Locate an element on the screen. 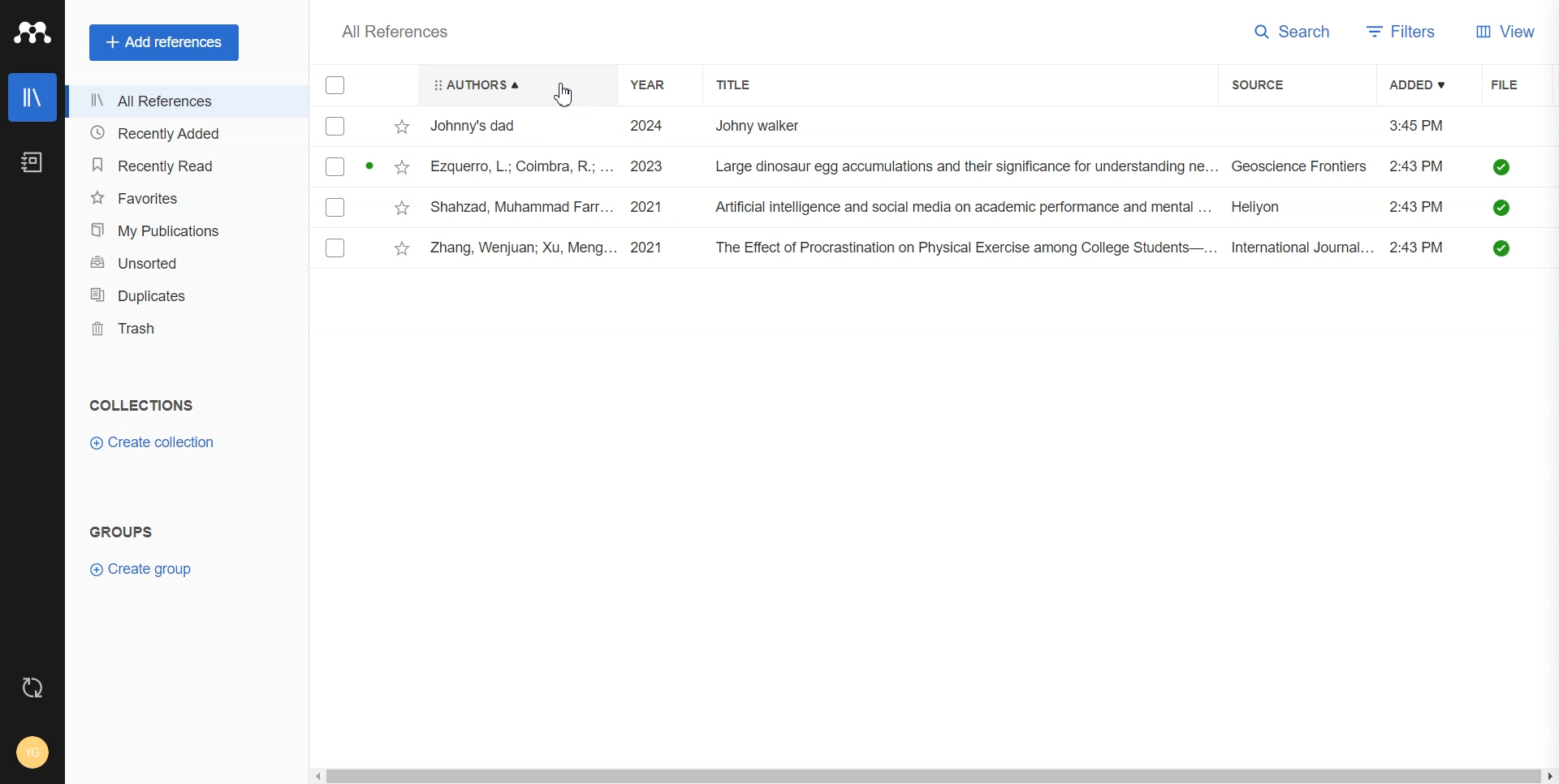  Toggle Favorites is located at coordinates (403, 167).